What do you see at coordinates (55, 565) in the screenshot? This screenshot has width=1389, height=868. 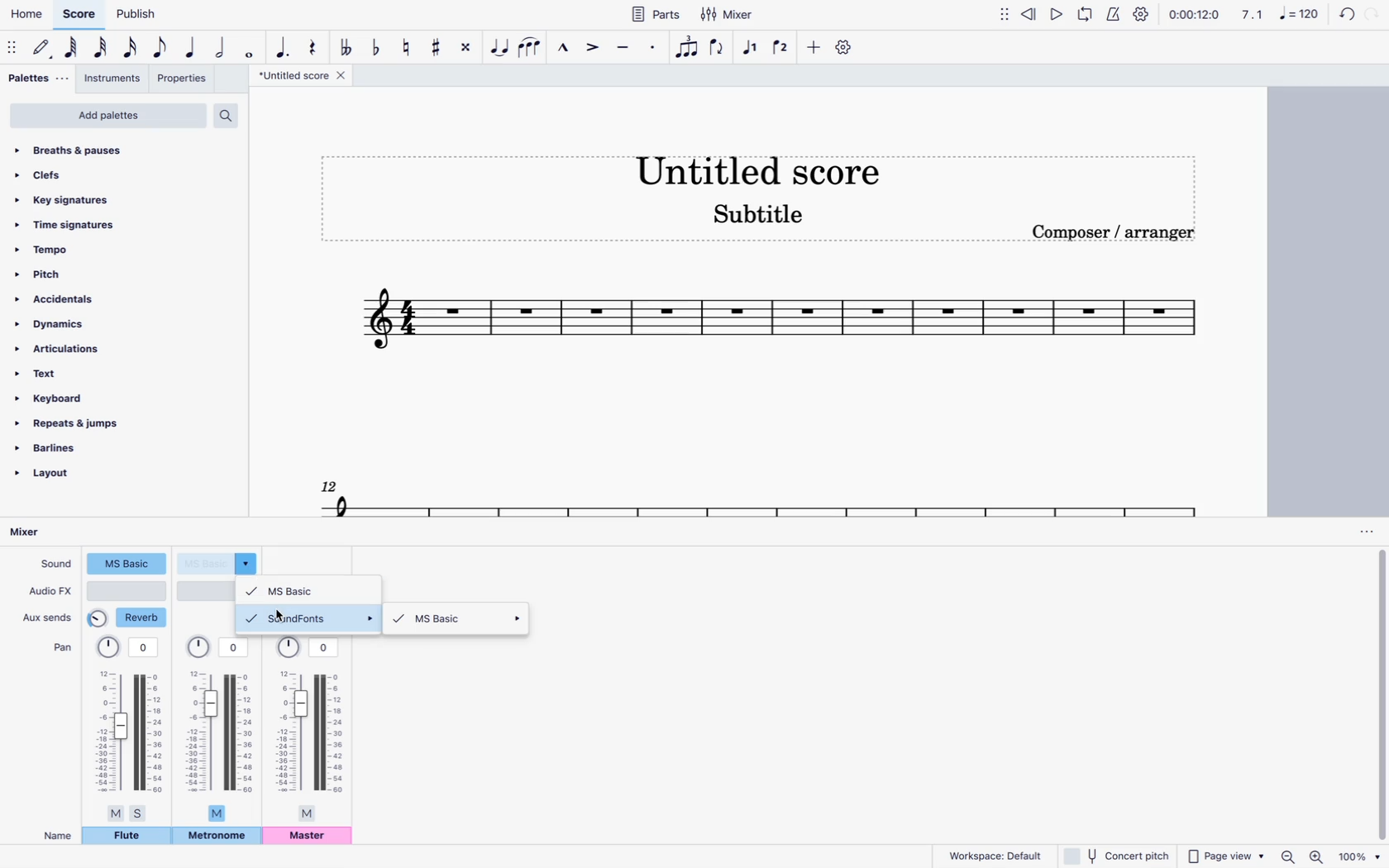 I see `sound` at bounding box center [55, 565].